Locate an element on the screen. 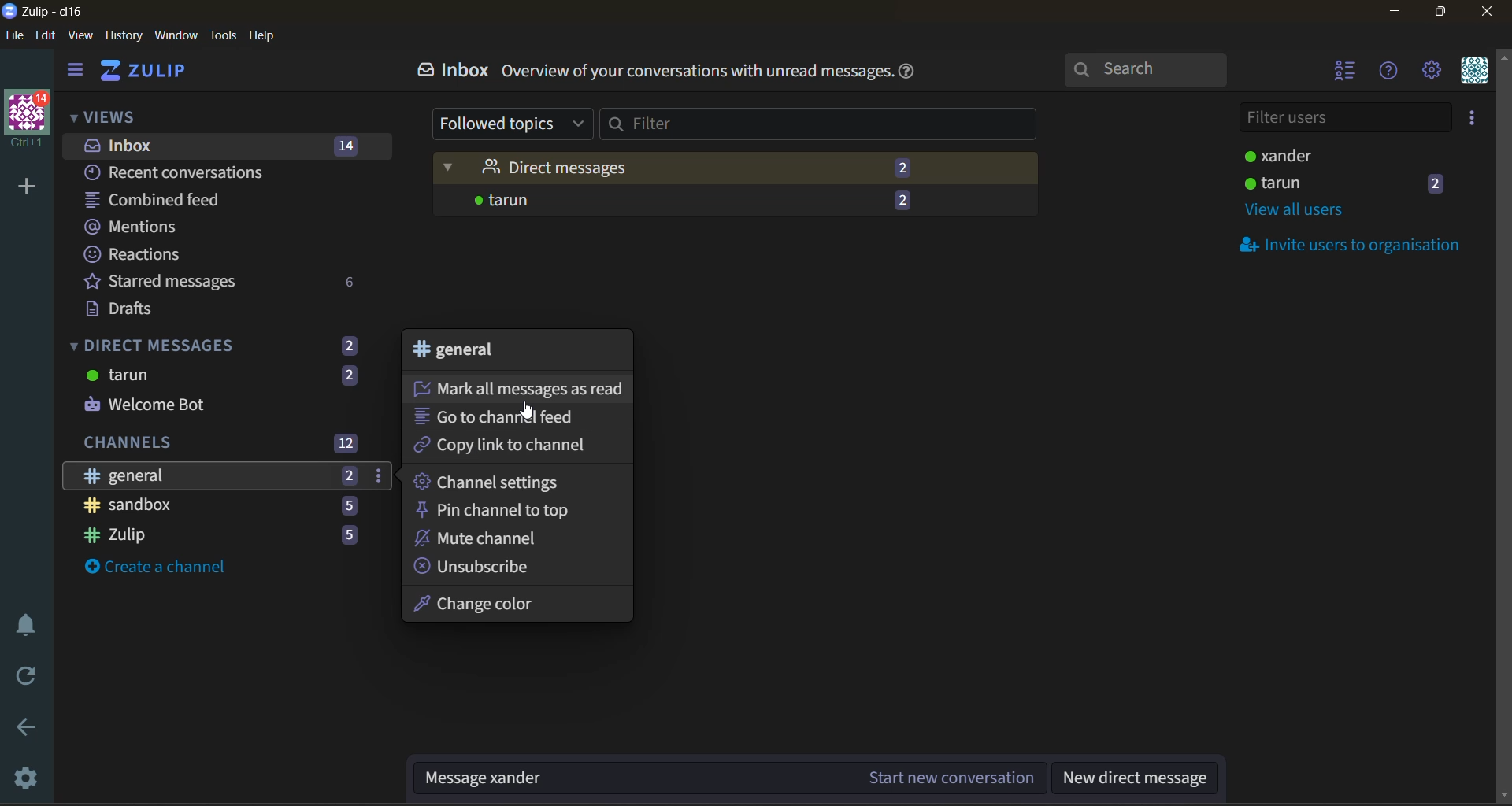 This screenshot has width=1512, height=806. Inbox. Overview of your conversations with unread messages. is located at coordinates (640, 69).